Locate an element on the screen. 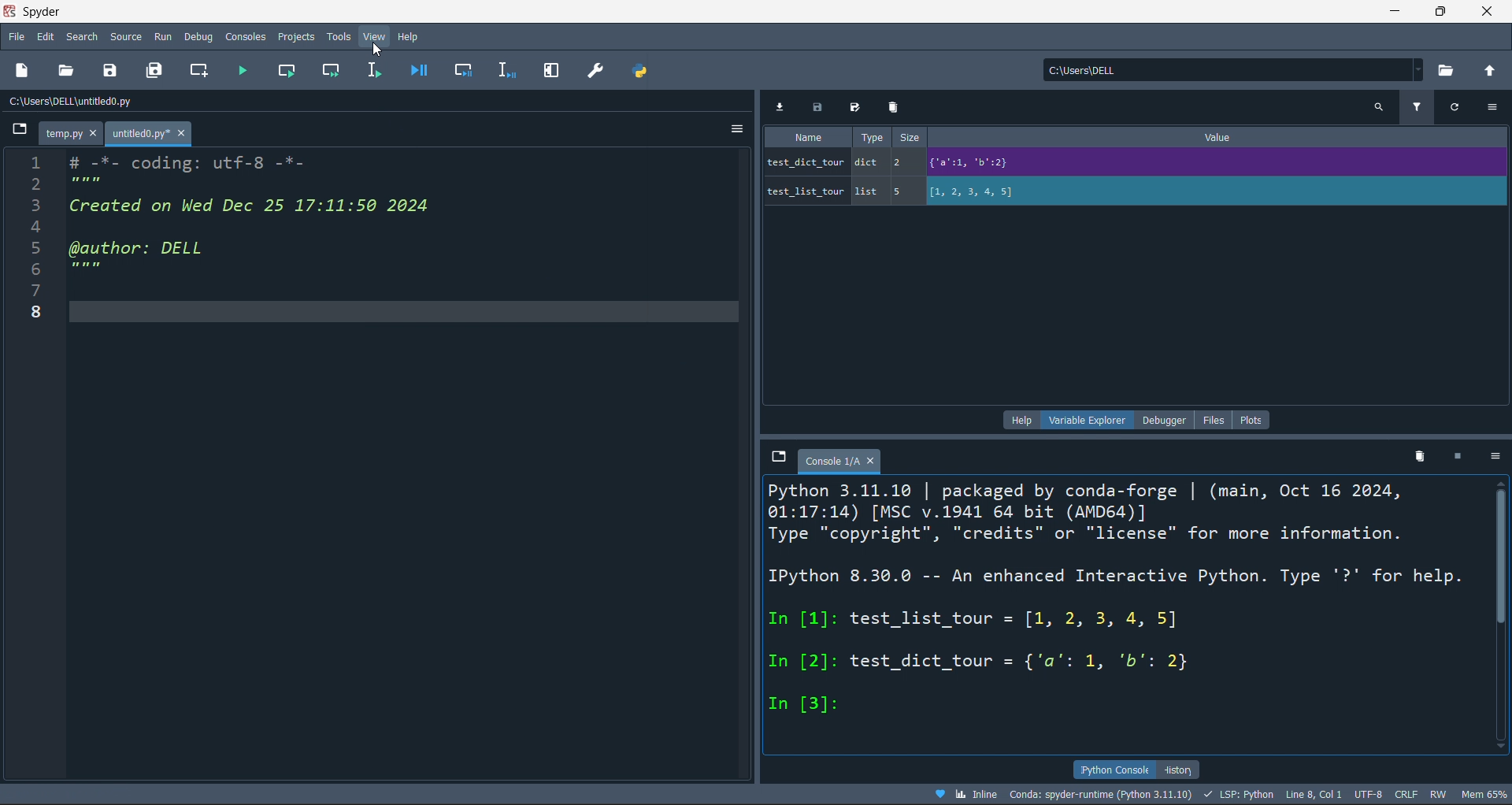 This screenshot has height=805, width=1512. type is located at coordinates (869, 138).